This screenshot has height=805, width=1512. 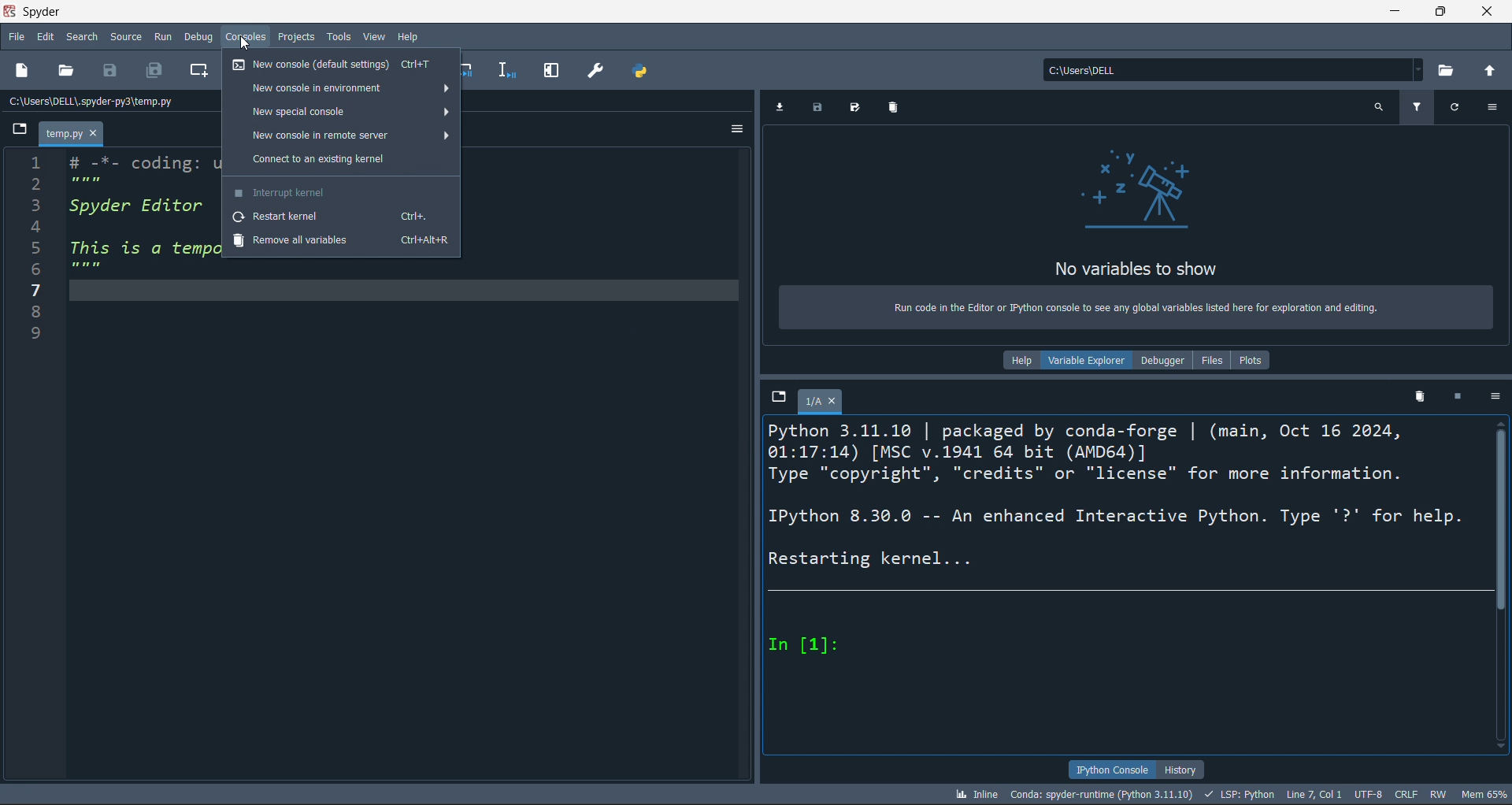 I want to click on In [1]:, so click(x=809, y=645).